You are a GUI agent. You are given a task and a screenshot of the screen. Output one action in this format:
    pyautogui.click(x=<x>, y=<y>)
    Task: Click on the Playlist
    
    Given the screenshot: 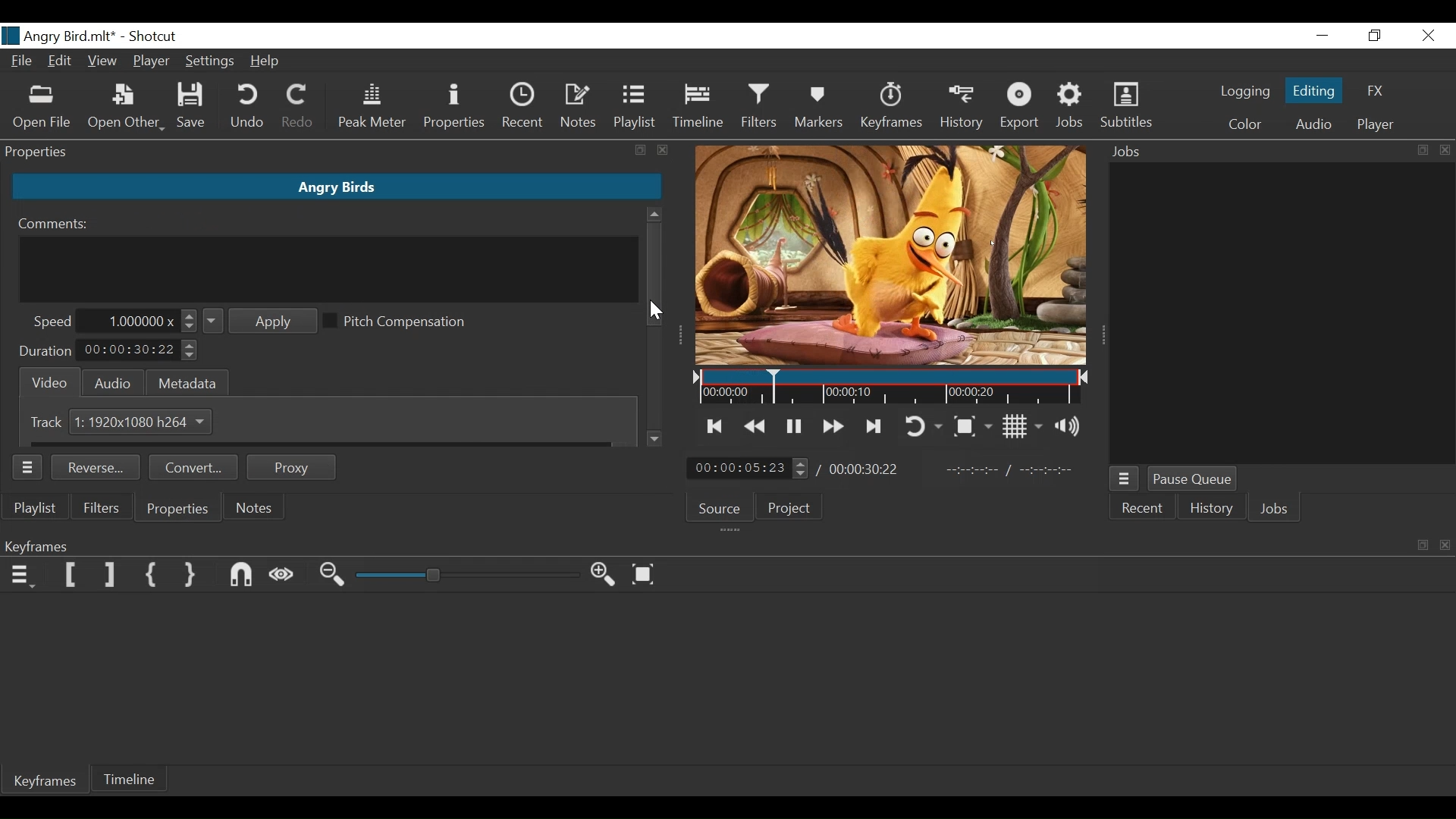 What is the action you would take?
    pyautogui.click(x=636, y=108)
    